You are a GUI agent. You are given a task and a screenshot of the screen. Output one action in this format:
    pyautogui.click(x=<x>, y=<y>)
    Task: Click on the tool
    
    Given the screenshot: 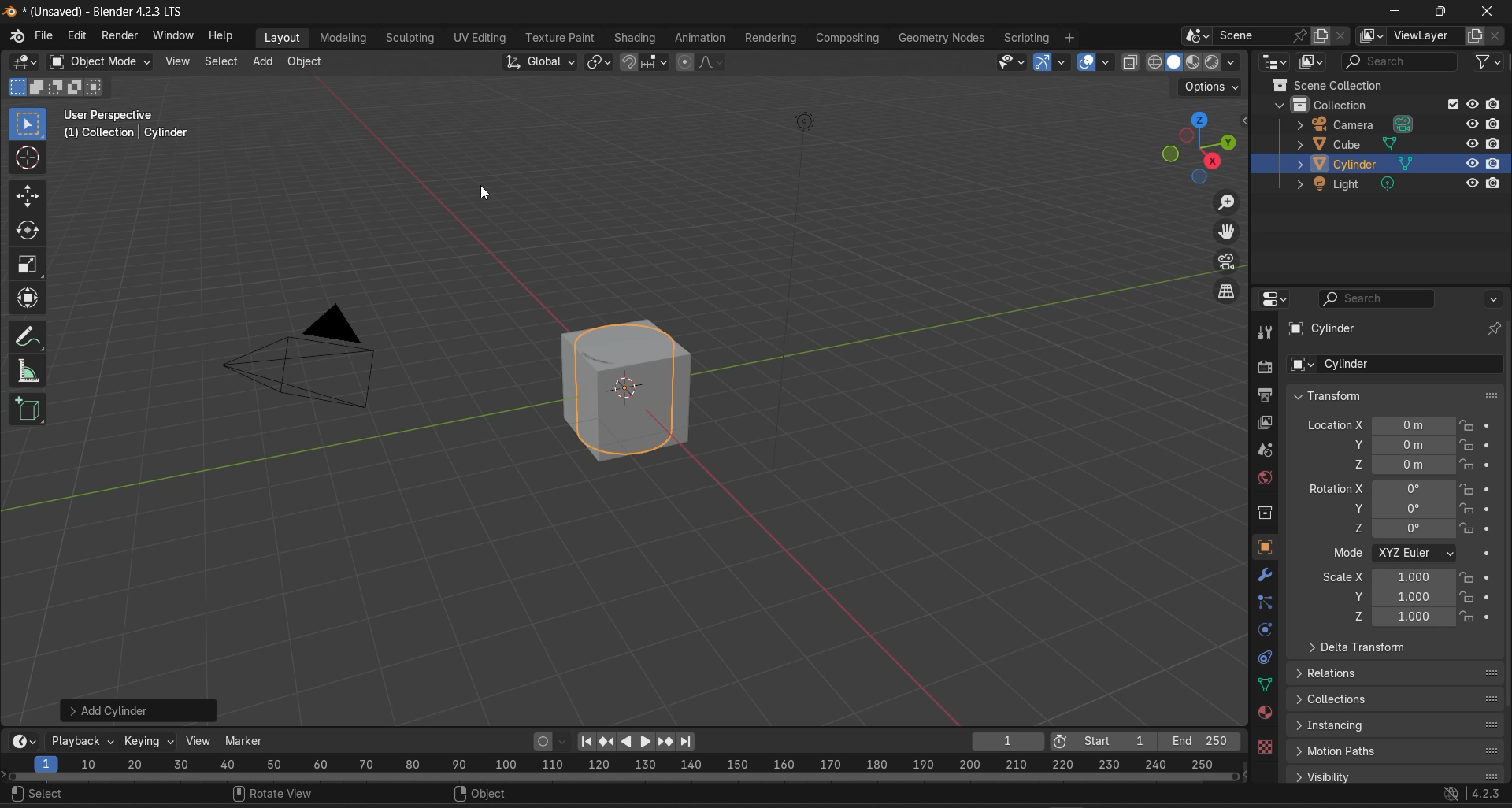 What is the action you would take?
    pyautogui.click(x=1265, y=332)
    